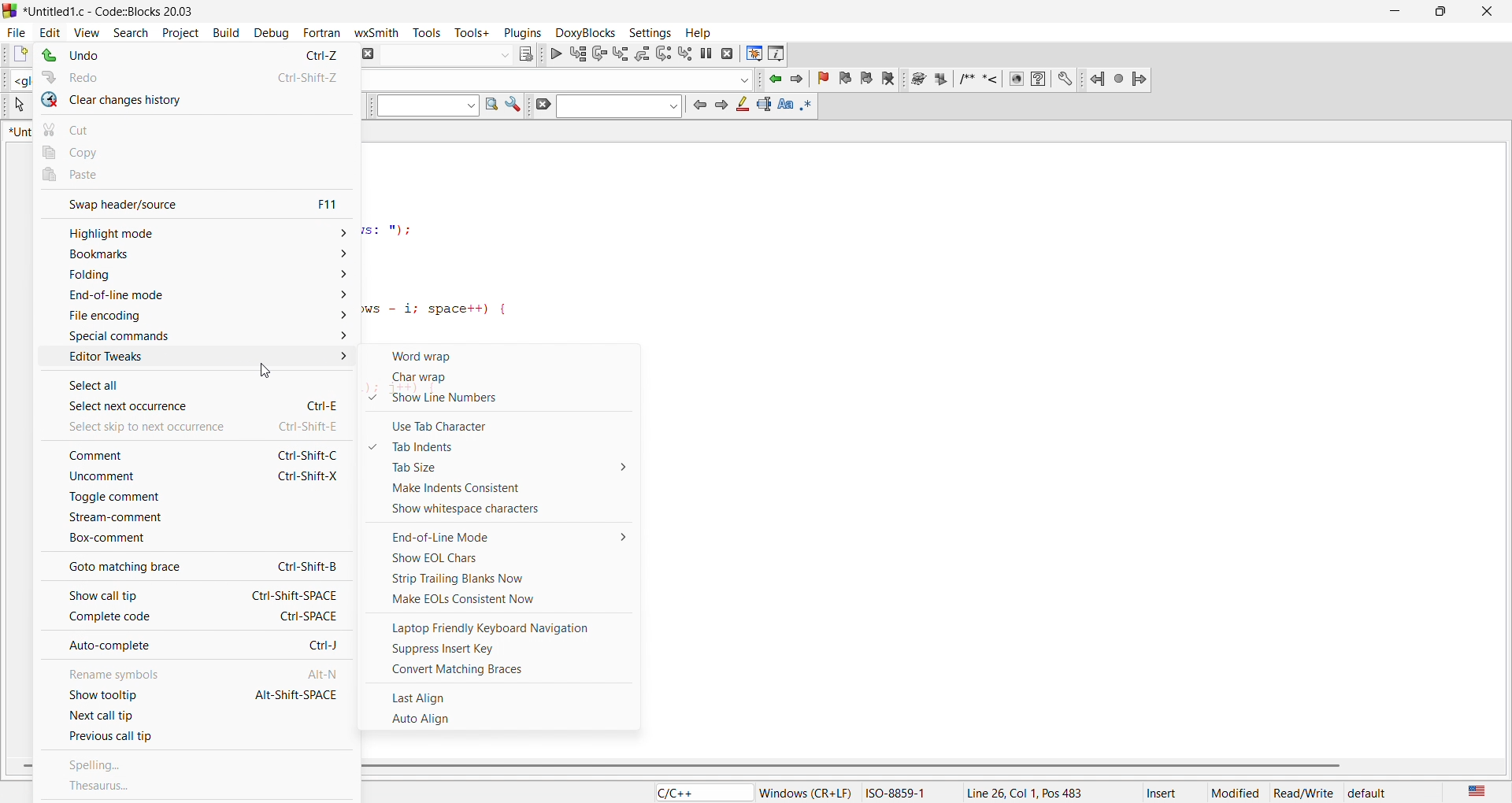 This screenshot has height=803, width=1512. What do you see at coordinates (195, 301) in the screenshot?
I see `end of line mode` at bounding box center [195, 301].